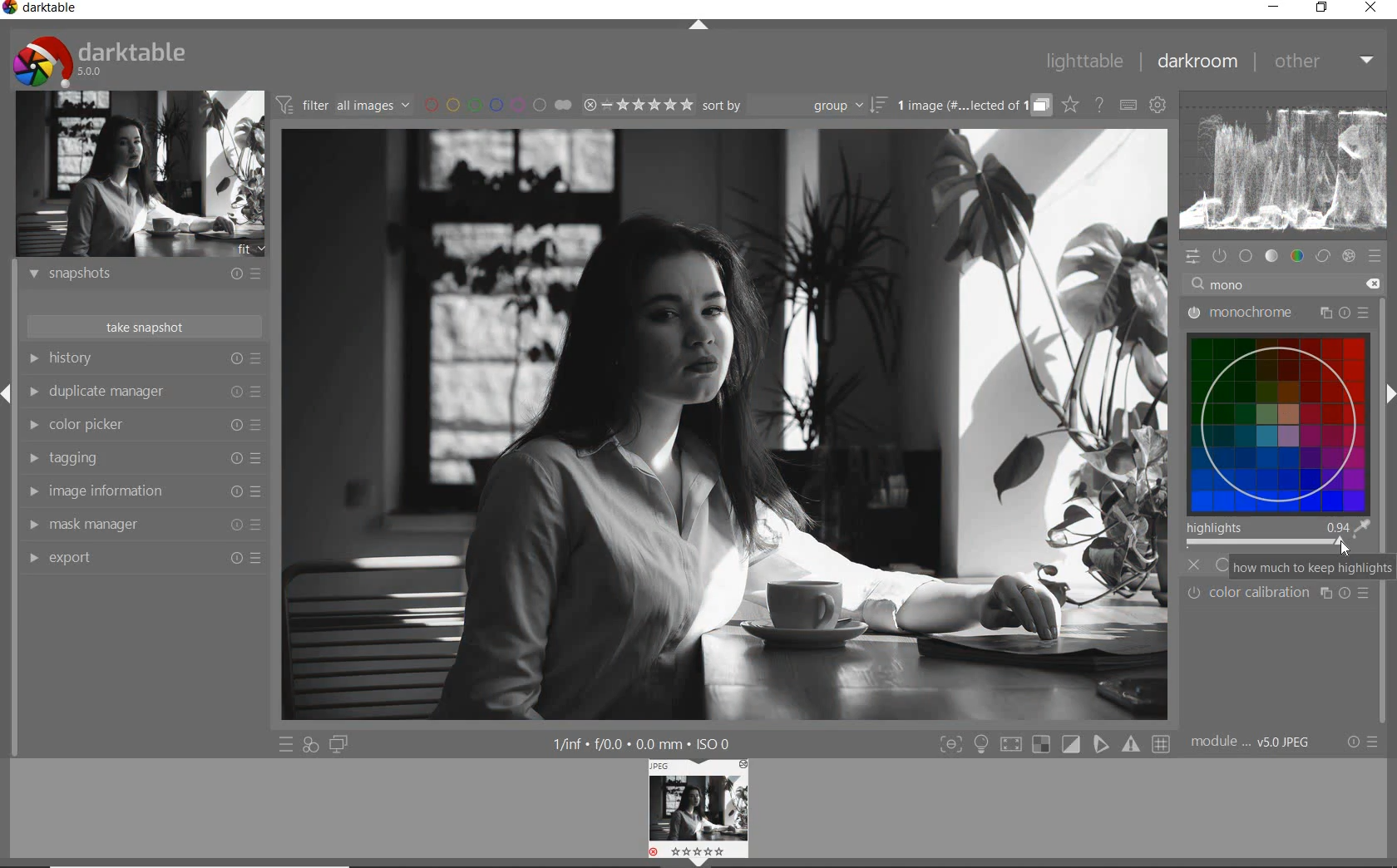  What do you see at coordinates (1084, 62) in the screenshot?
I see `lighttable` at bounding box center [1084, 62].